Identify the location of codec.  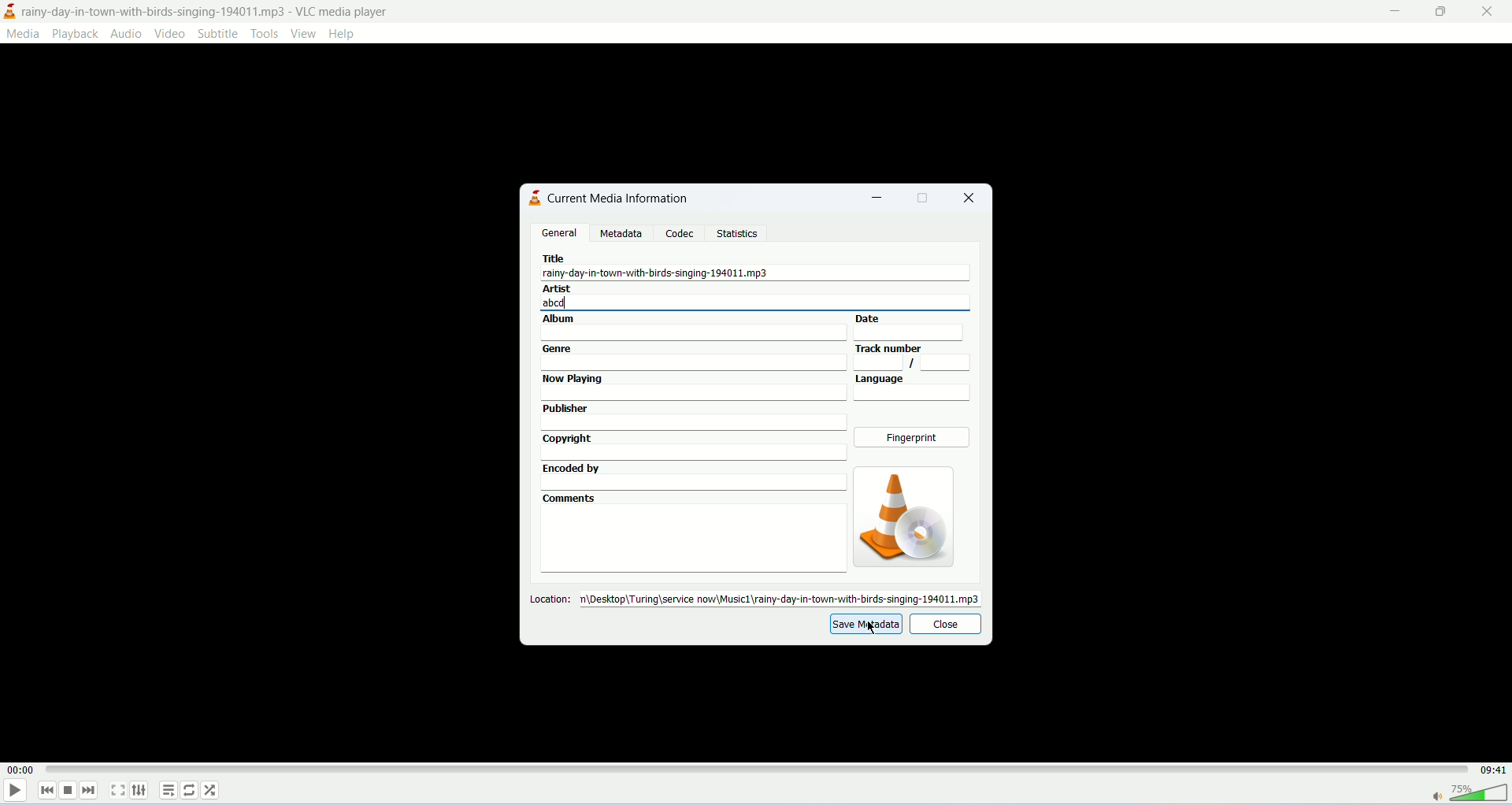
(684, 233).